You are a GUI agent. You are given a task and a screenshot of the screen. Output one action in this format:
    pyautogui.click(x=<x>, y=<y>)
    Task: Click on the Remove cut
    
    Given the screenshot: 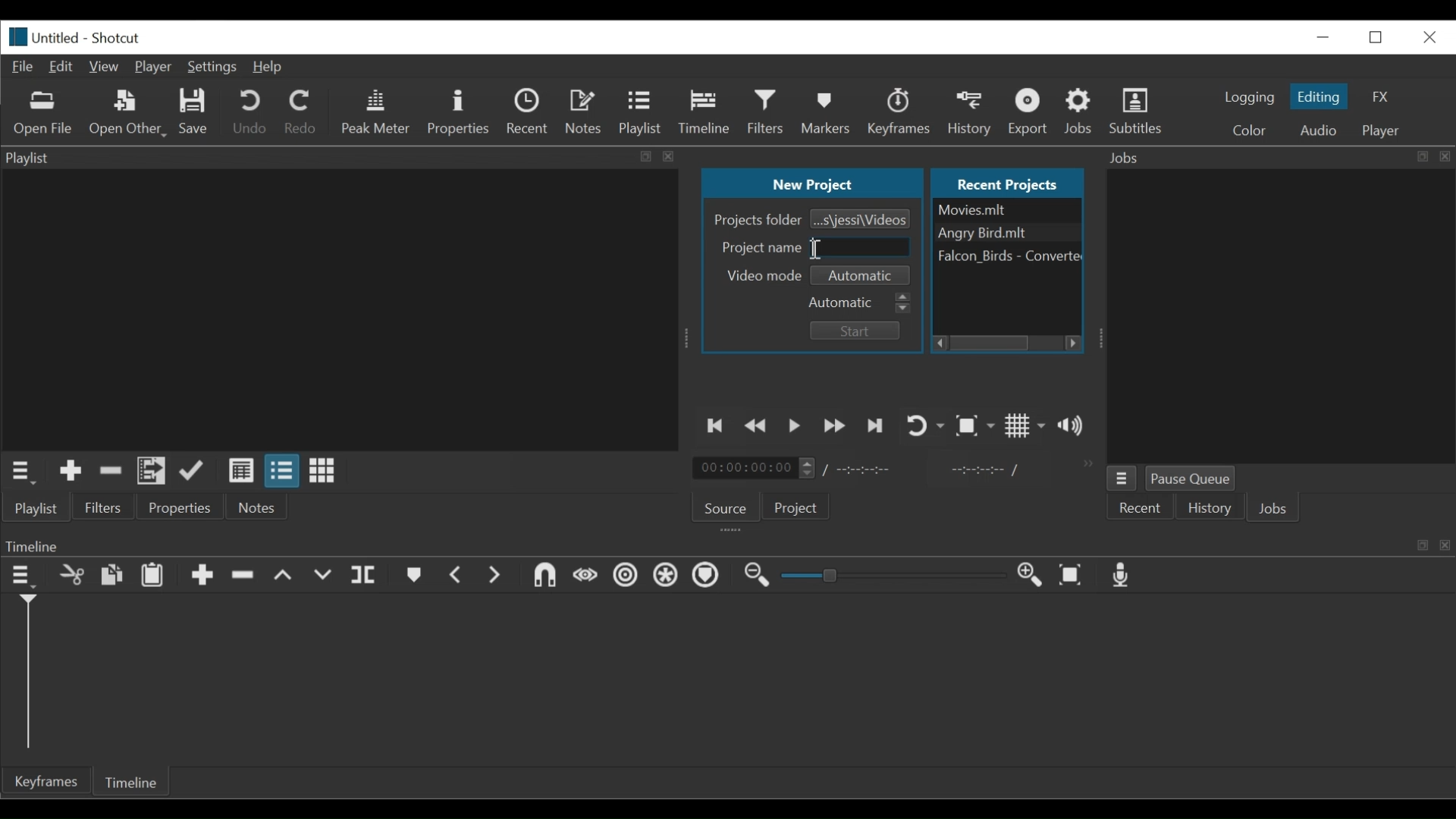 What is the action you would take?
    pyautogui.click(x=70, y=574)
    